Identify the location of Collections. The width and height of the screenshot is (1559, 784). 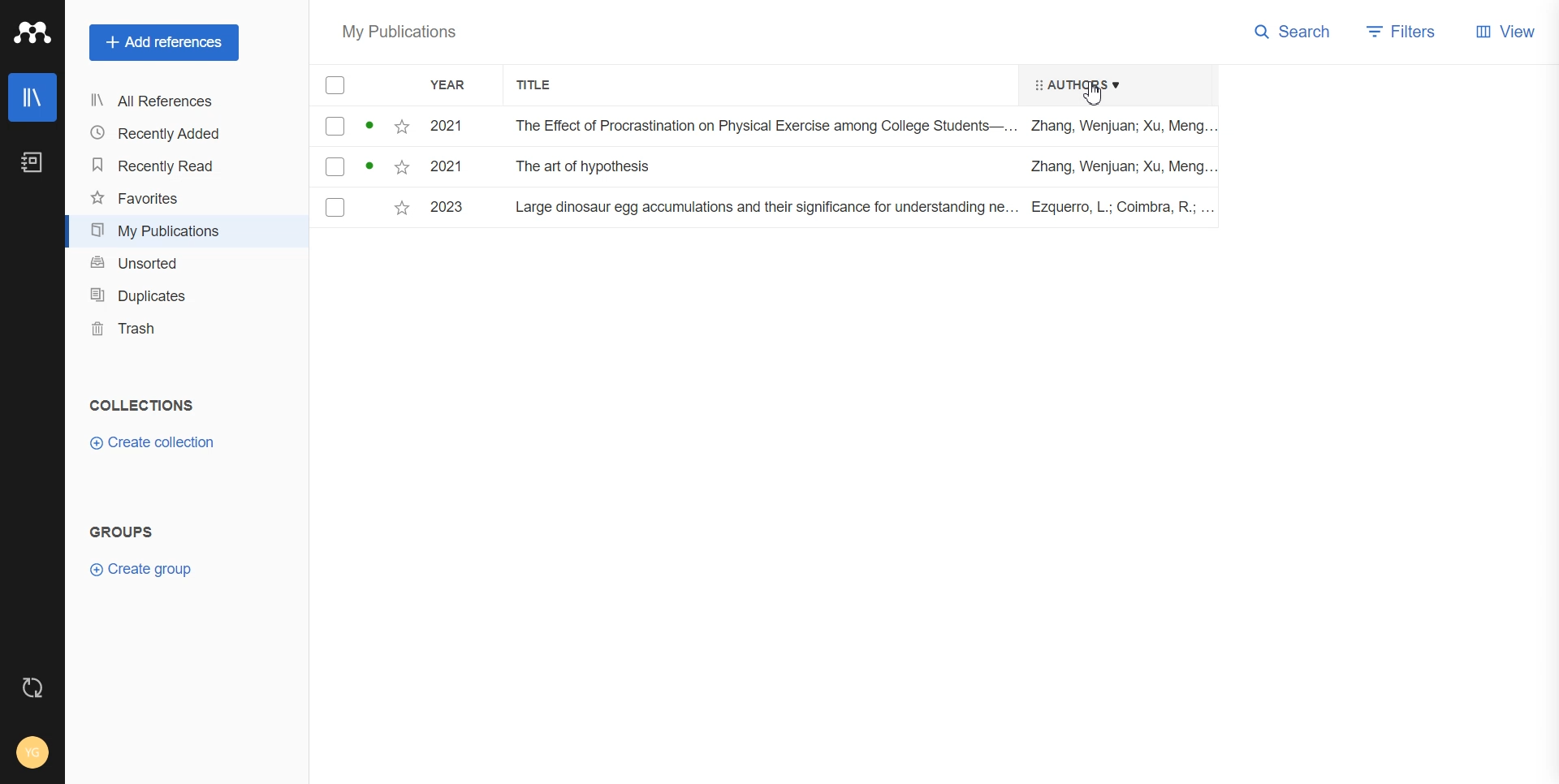
(142, 404).